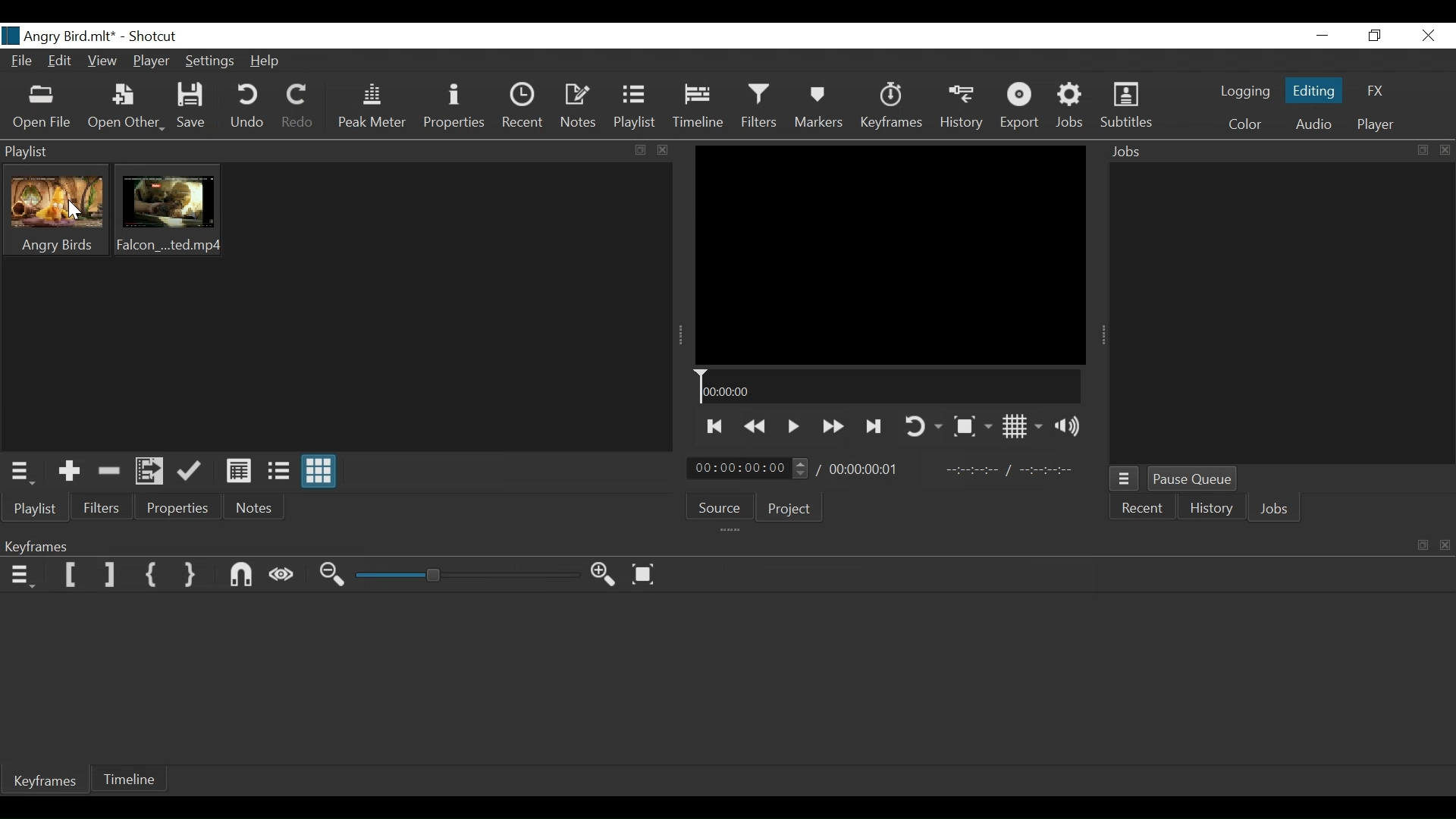 The image size is (1456, 819). What do you see at coordinates (193, 576) in the screenshot?
I see `Set Second Simple keyframe` at bounding box center [193, 576].